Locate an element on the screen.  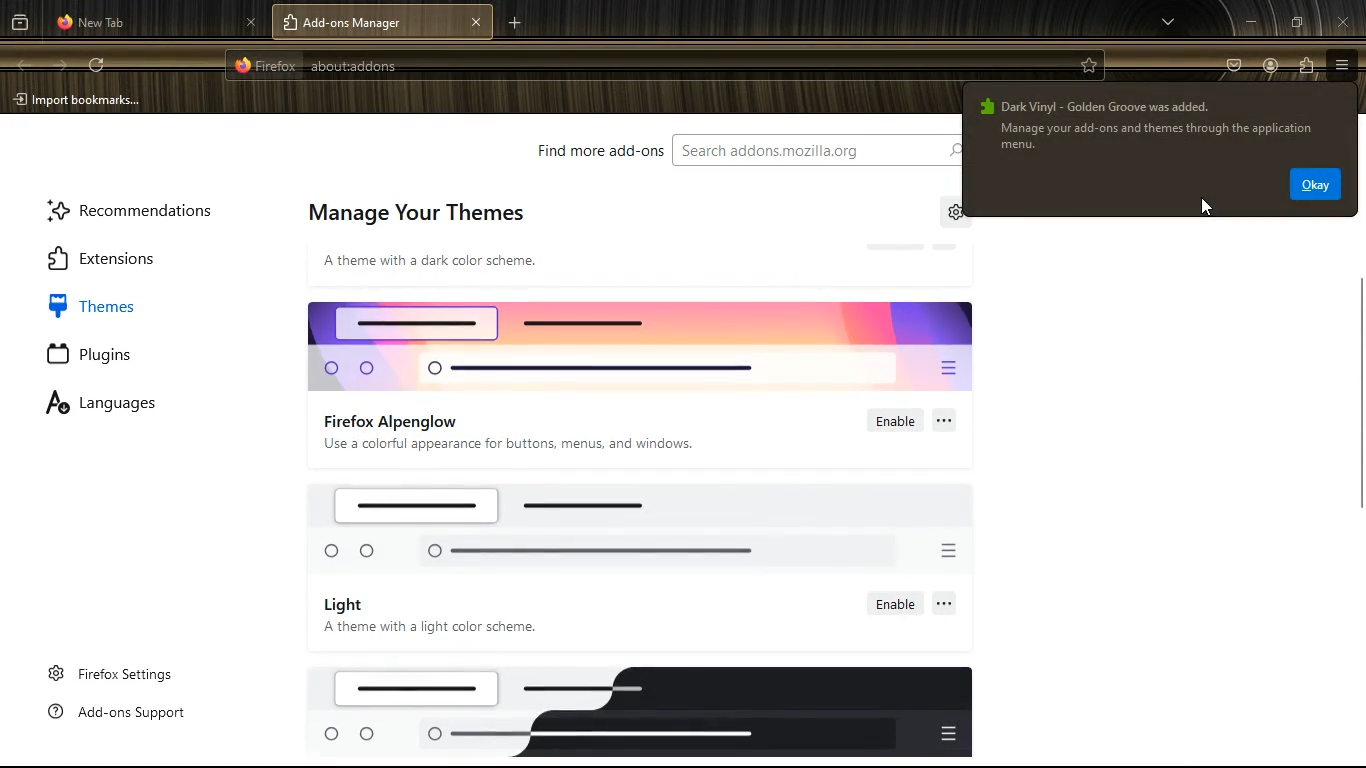
recommendations is located at coordinates (136, 208).